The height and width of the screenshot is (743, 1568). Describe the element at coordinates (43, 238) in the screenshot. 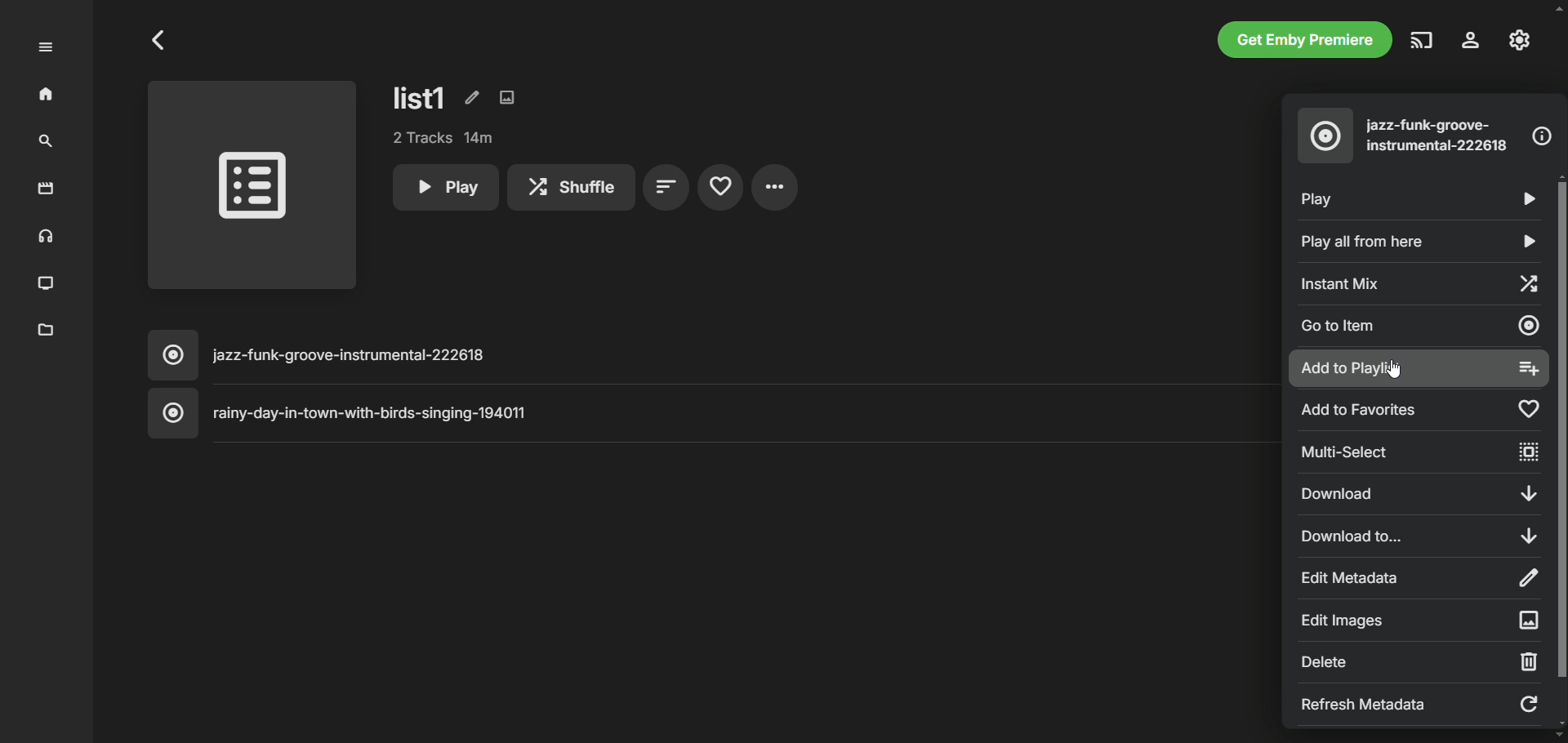

I see `music` at that location.